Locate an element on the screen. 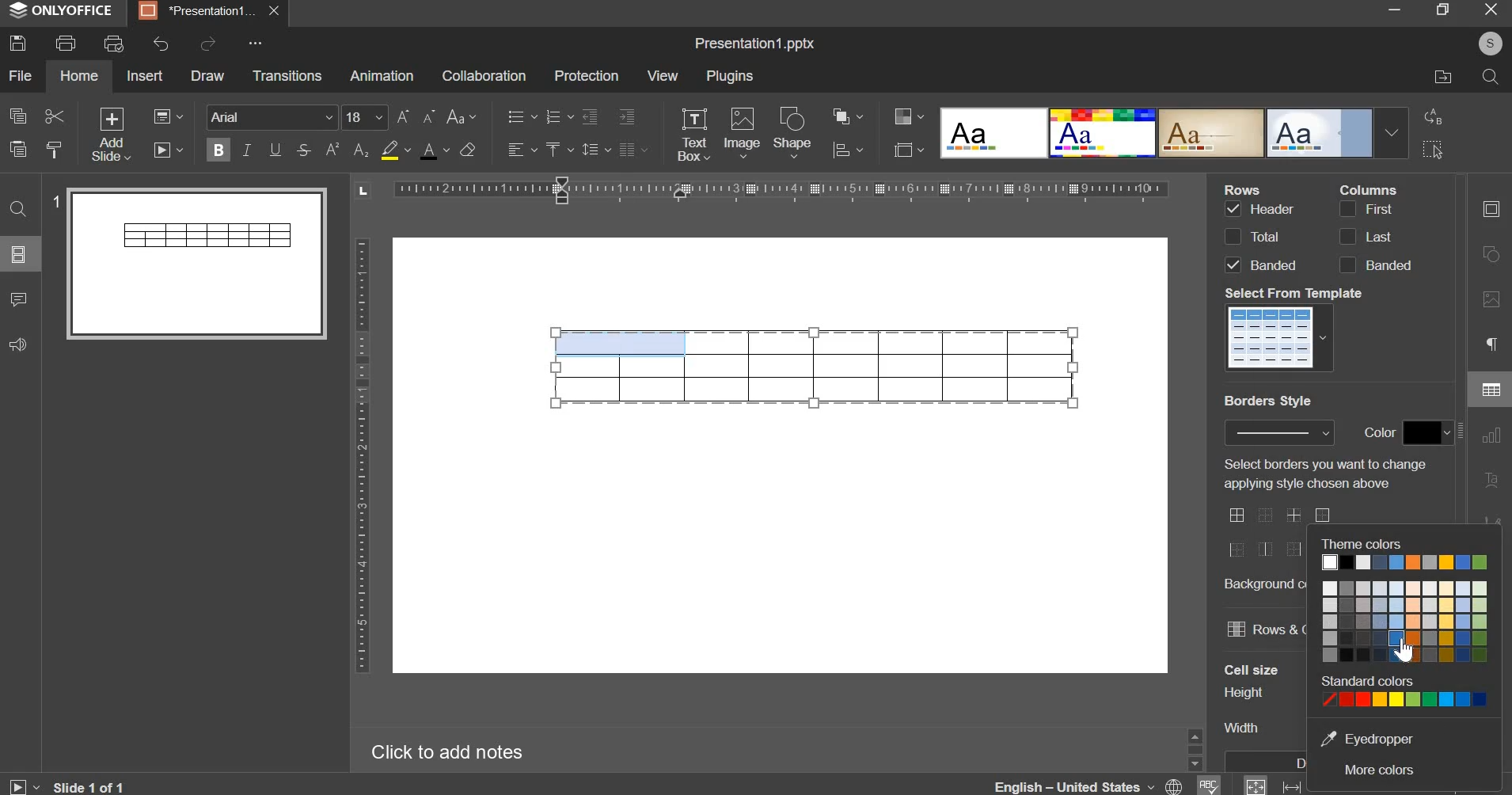 Image resolution: width=1512 pixels, height=795 pixels. chart settings is located at coordinates (848, 150).